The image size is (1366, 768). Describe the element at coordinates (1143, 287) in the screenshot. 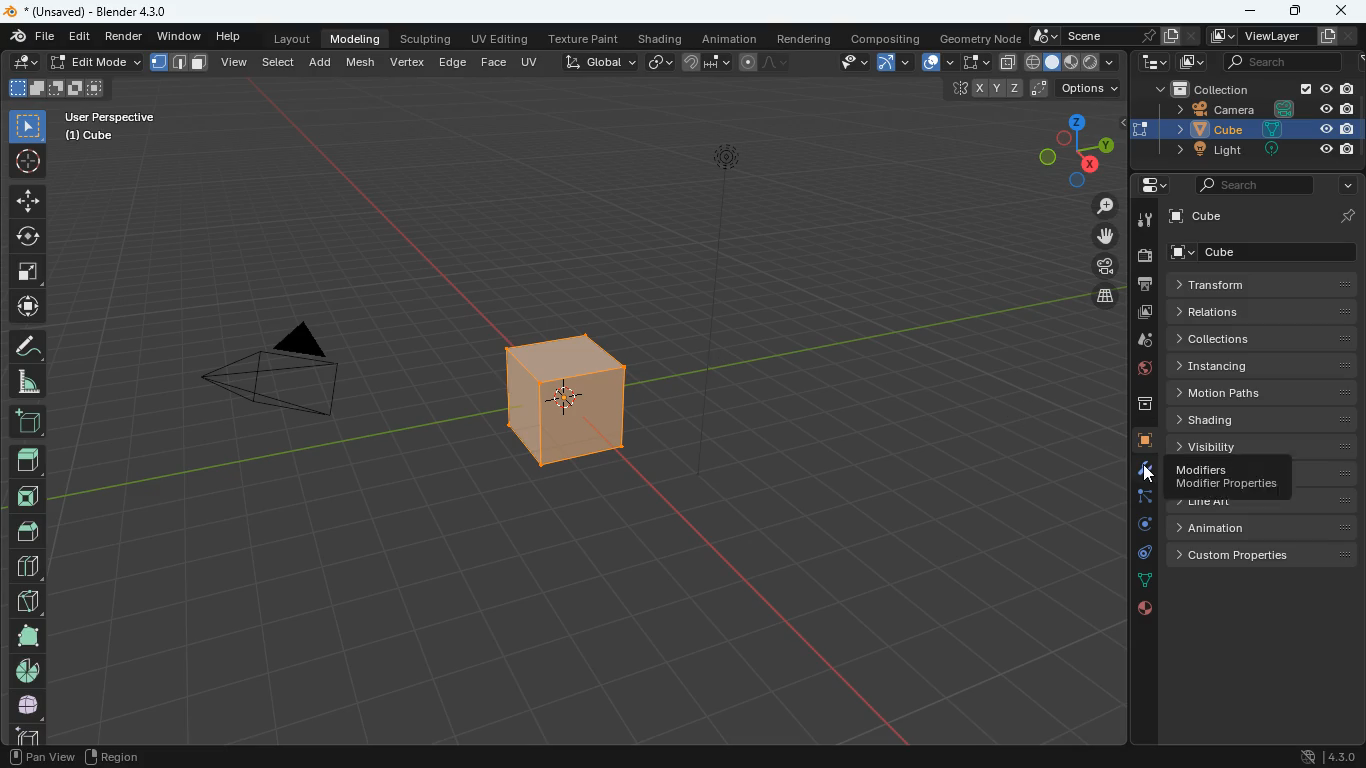

I see `print` at that location.